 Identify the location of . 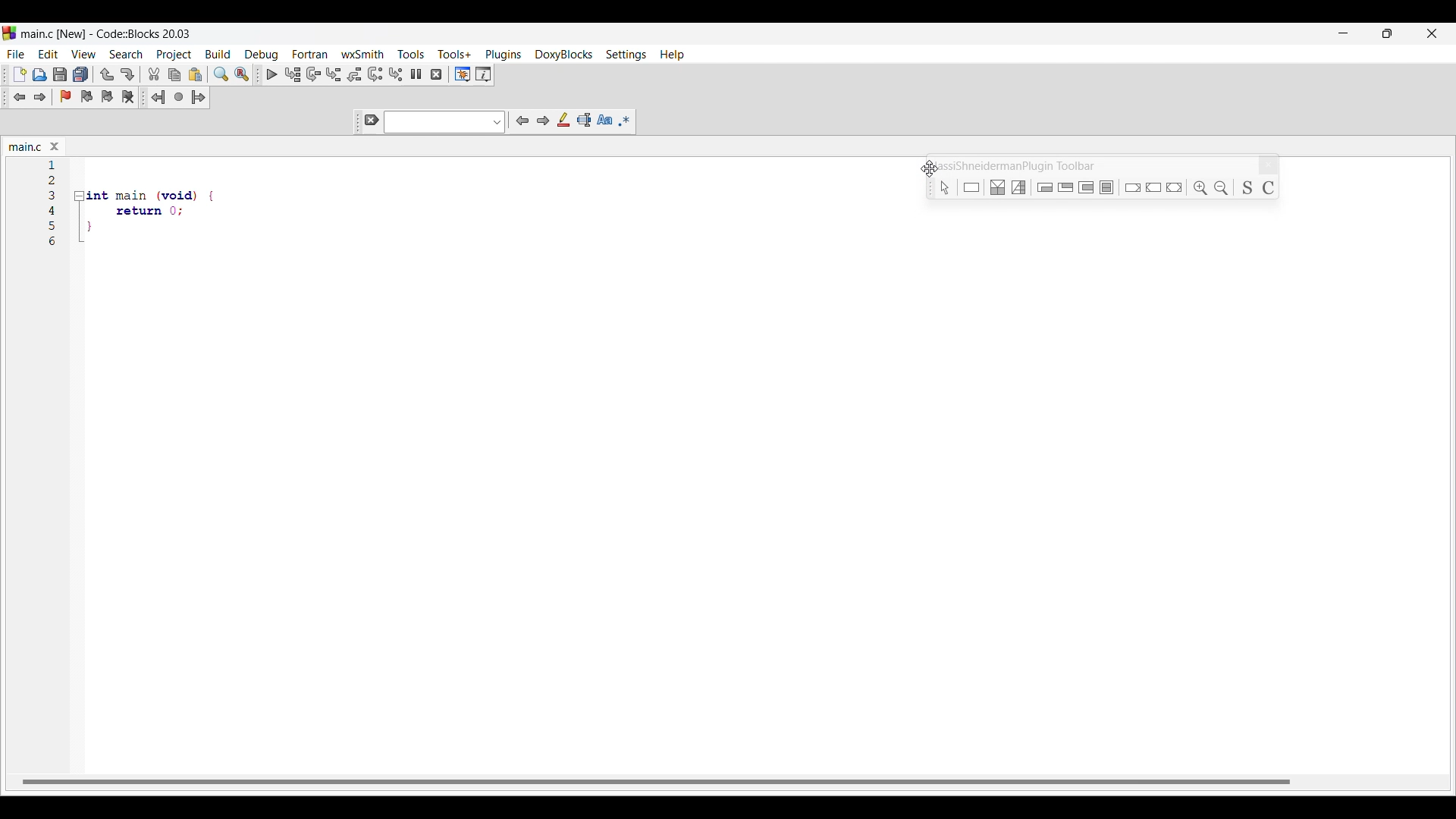
(1087, 188).